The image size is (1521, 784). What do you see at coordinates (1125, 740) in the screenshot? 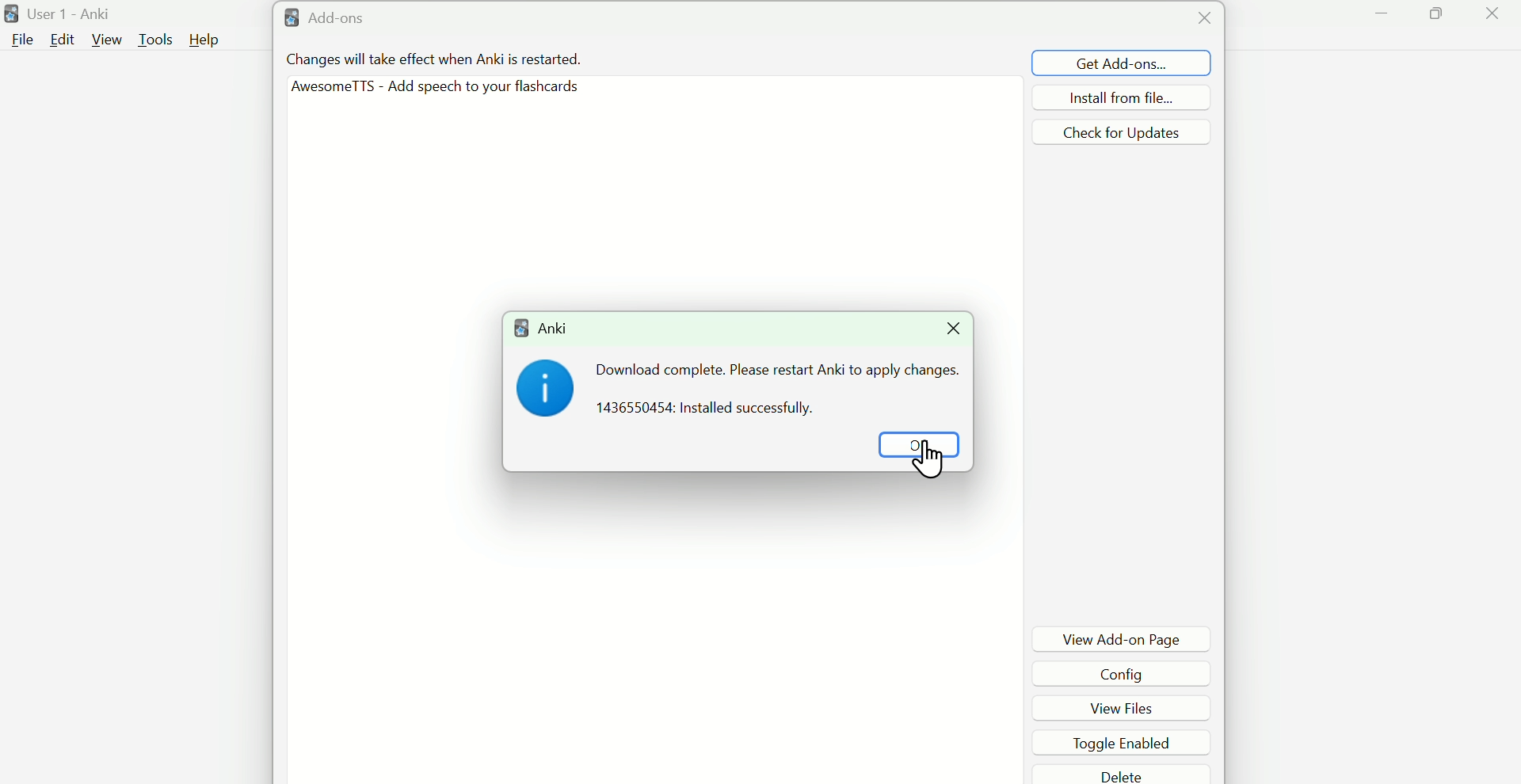
I see `Toggle enabled` at bounding box center [1125, 740].